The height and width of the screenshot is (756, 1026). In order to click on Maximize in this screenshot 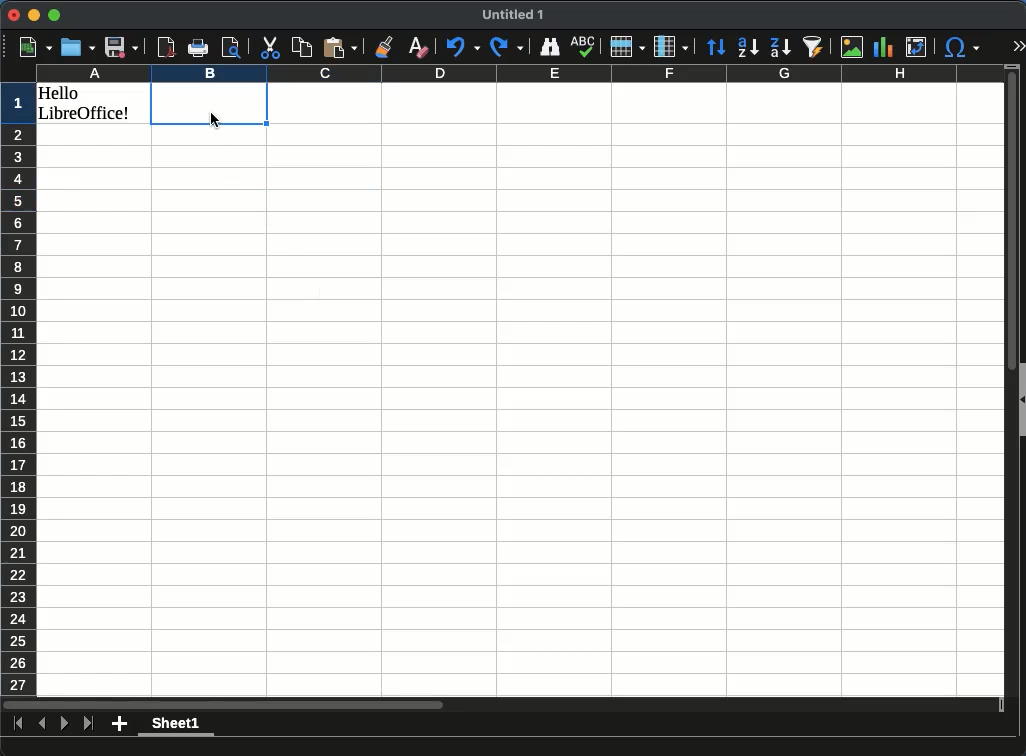, I will do `click(54, 16)`.